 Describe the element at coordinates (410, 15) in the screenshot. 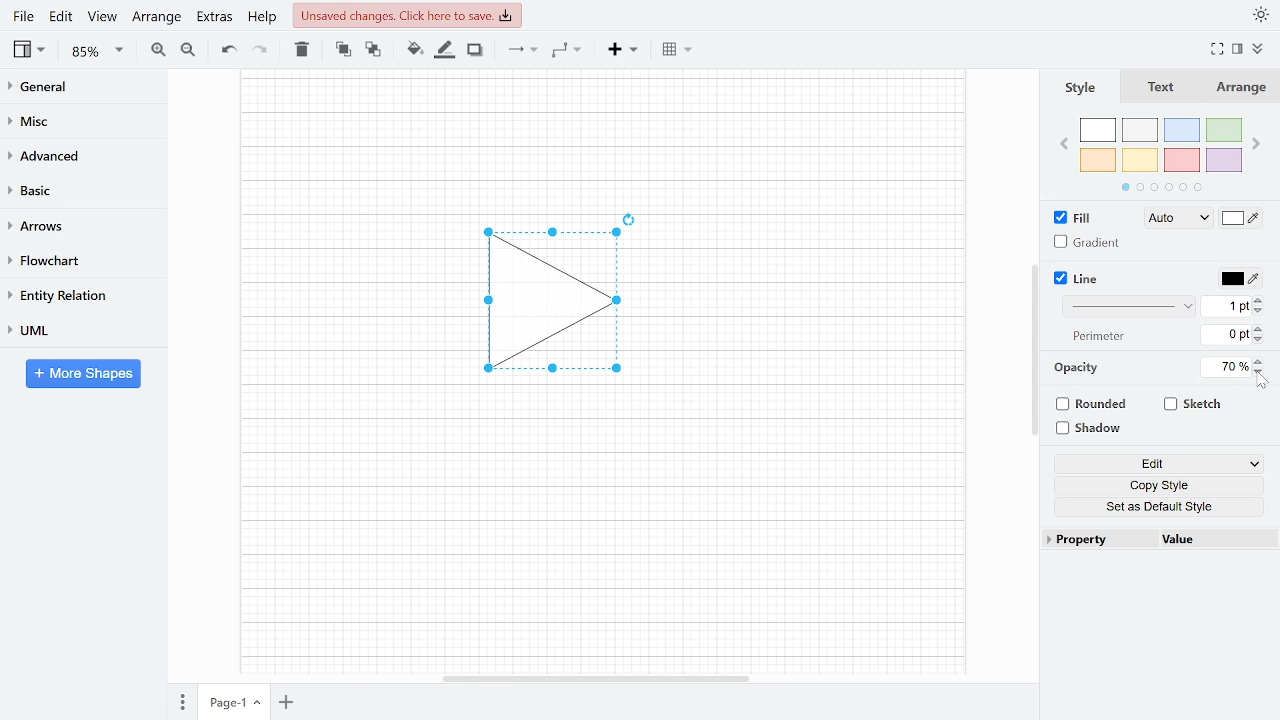

I see `Unsaved changes. Click here to save` at that location.